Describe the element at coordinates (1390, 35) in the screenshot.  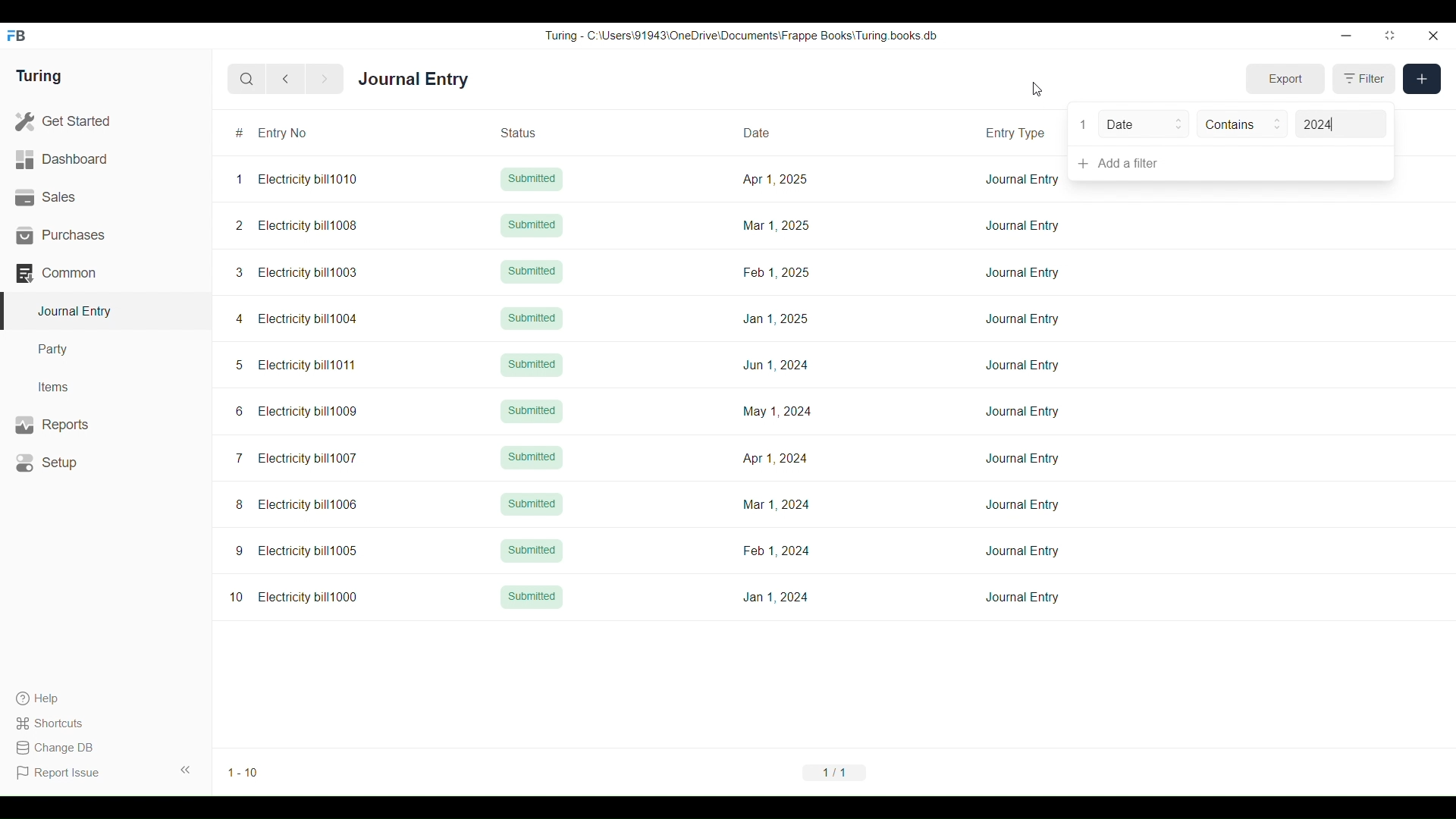
I see `Change dimension` at that location.